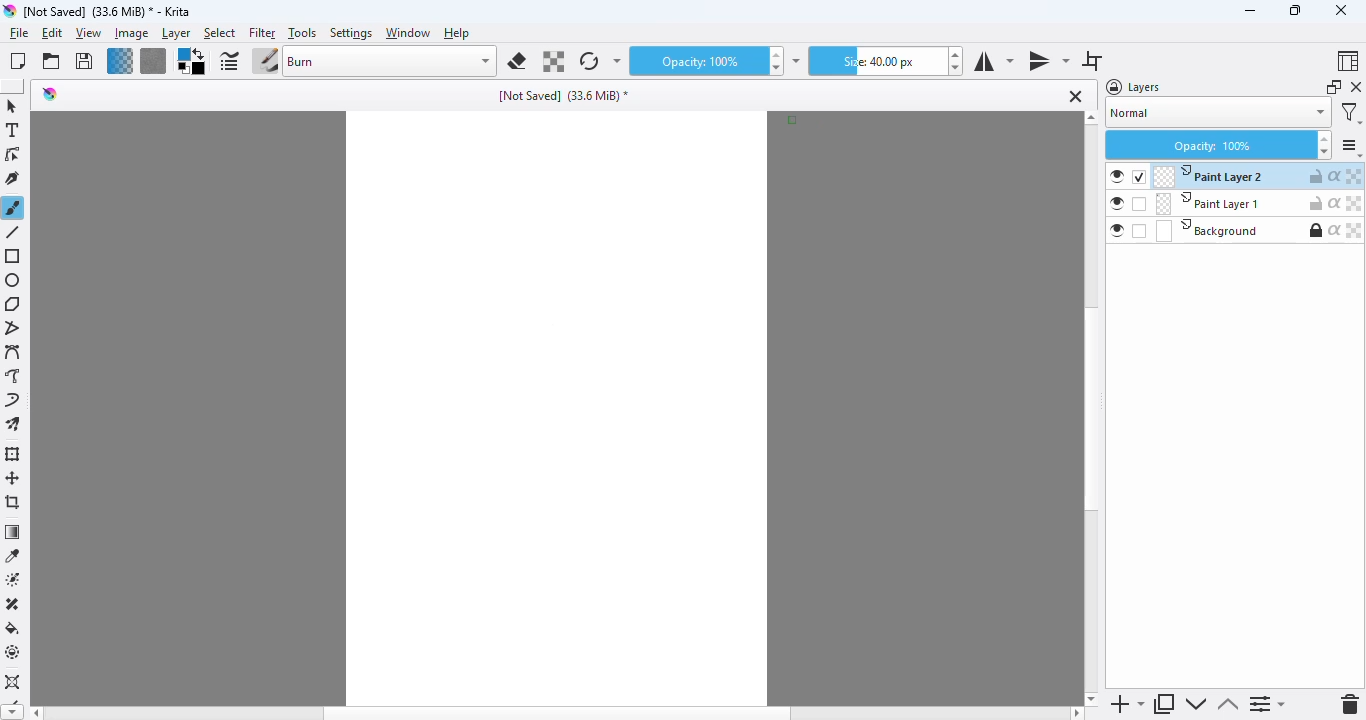 The height and width of the screenshot is (720, 1366). I want to click on logo, so click(50, 93).